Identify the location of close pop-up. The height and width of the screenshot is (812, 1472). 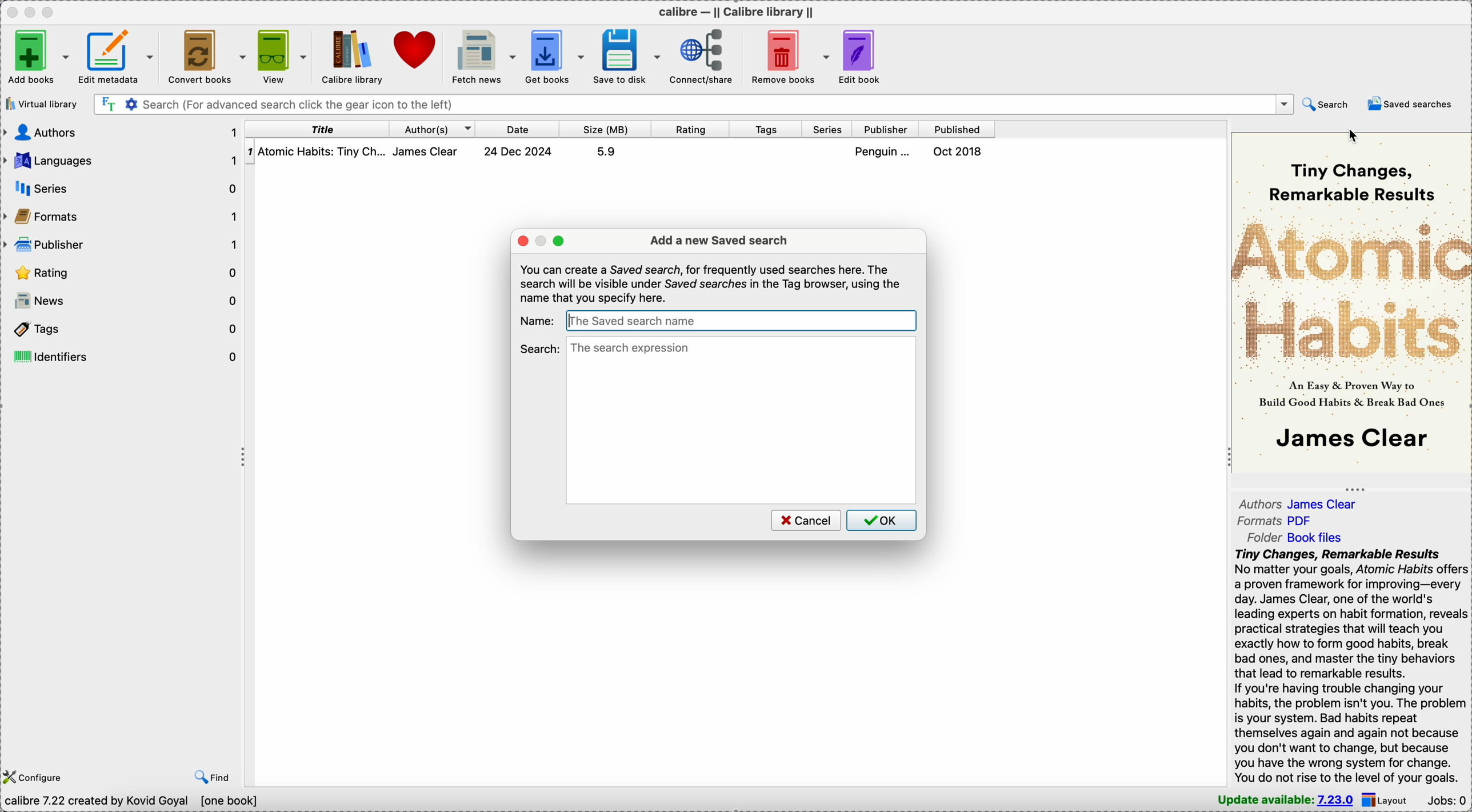
(522, 240).